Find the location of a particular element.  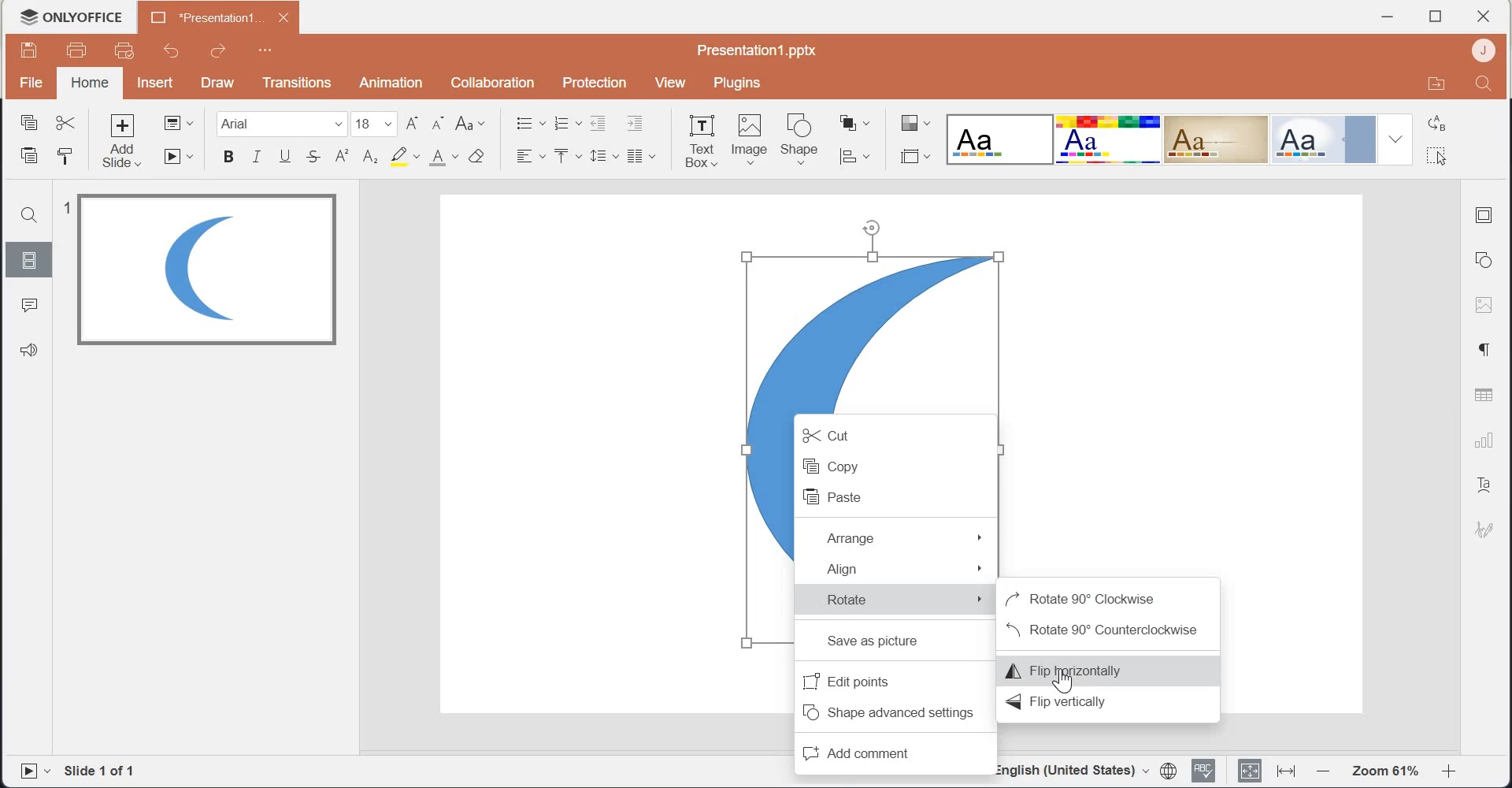

Presentation1.pptx is located at coordinates (758, 50).